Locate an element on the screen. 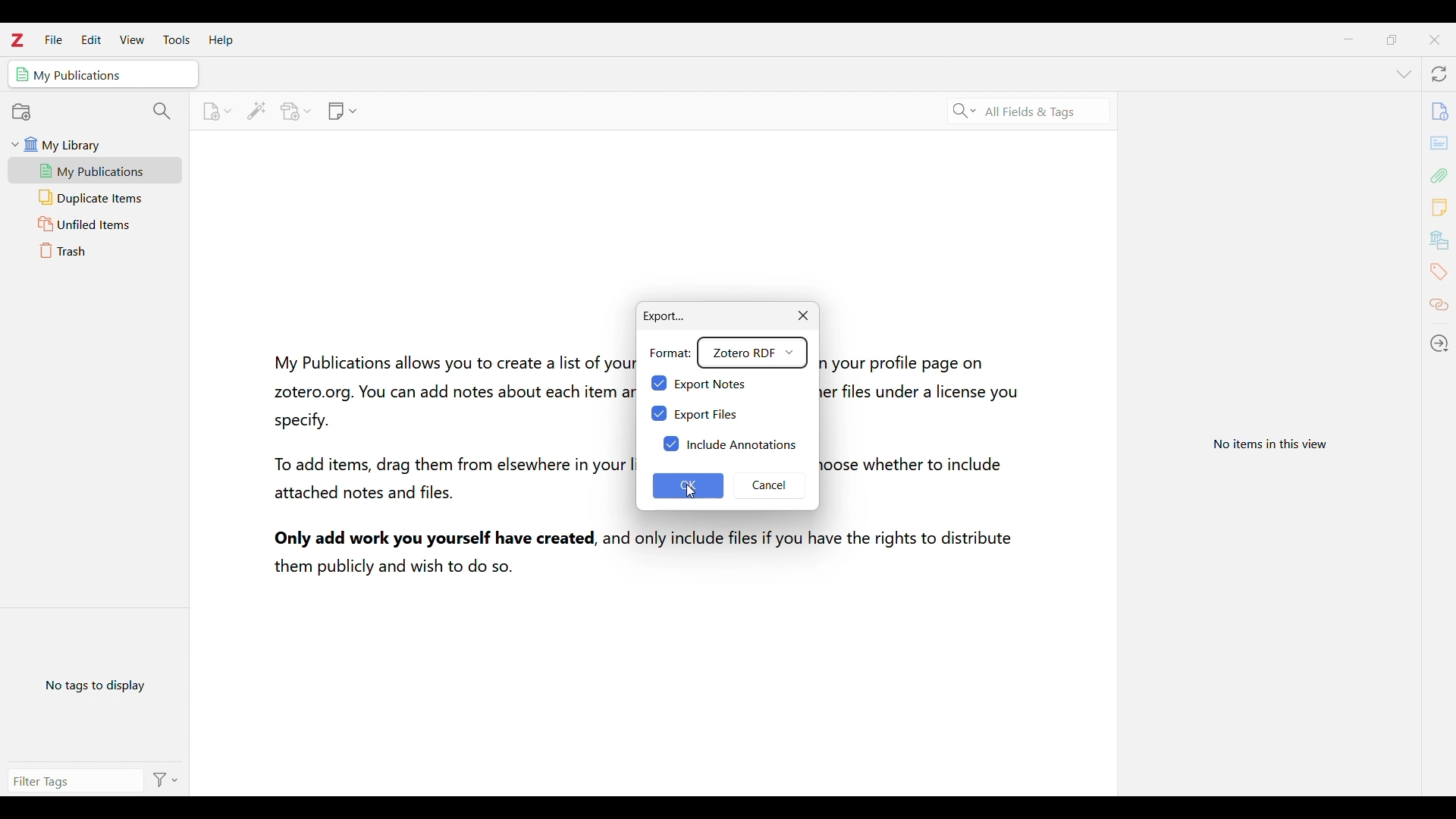 This screenshot has height=819, width=1456. List all tabs is located at coordinates (1403, 74).